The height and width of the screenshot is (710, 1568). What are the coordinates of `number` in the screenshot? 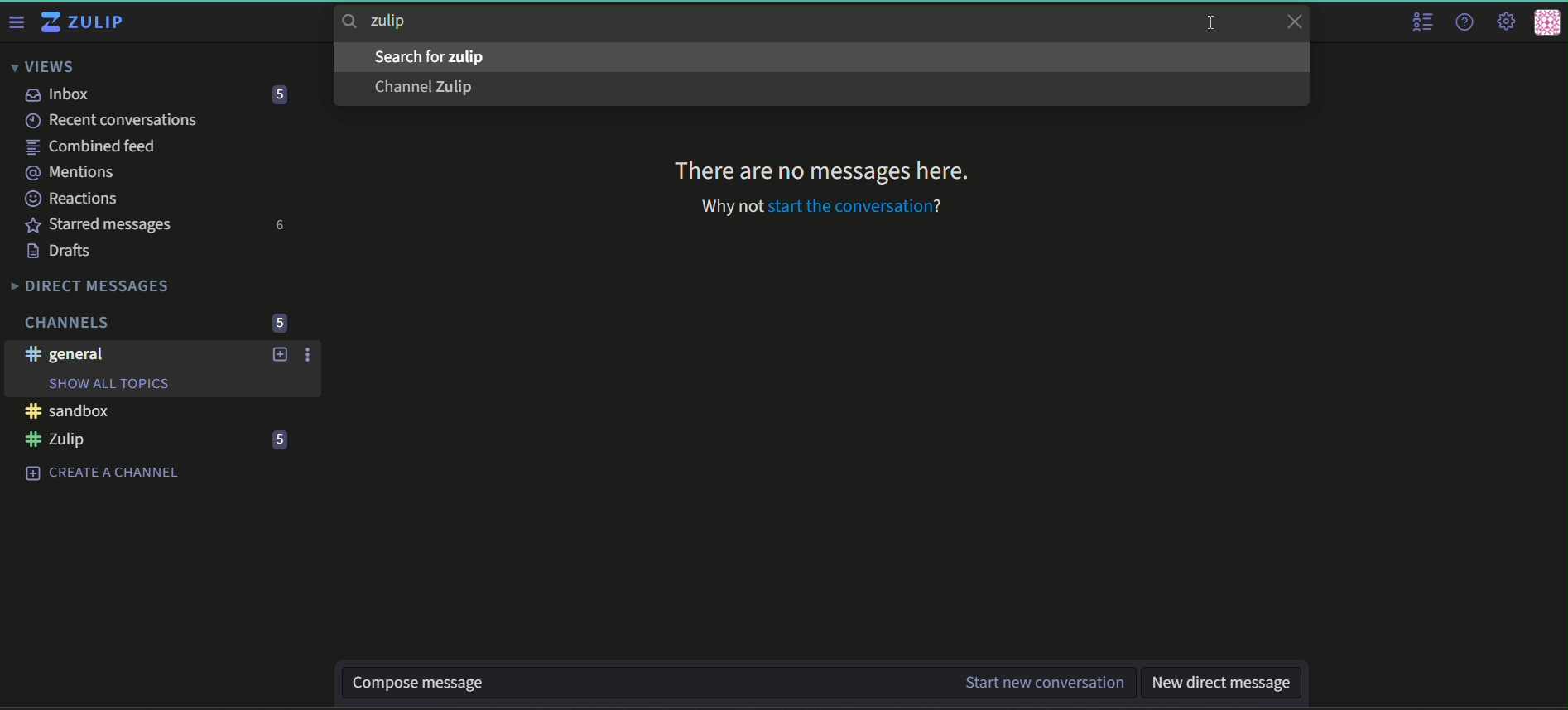 It's located at (278, 94).